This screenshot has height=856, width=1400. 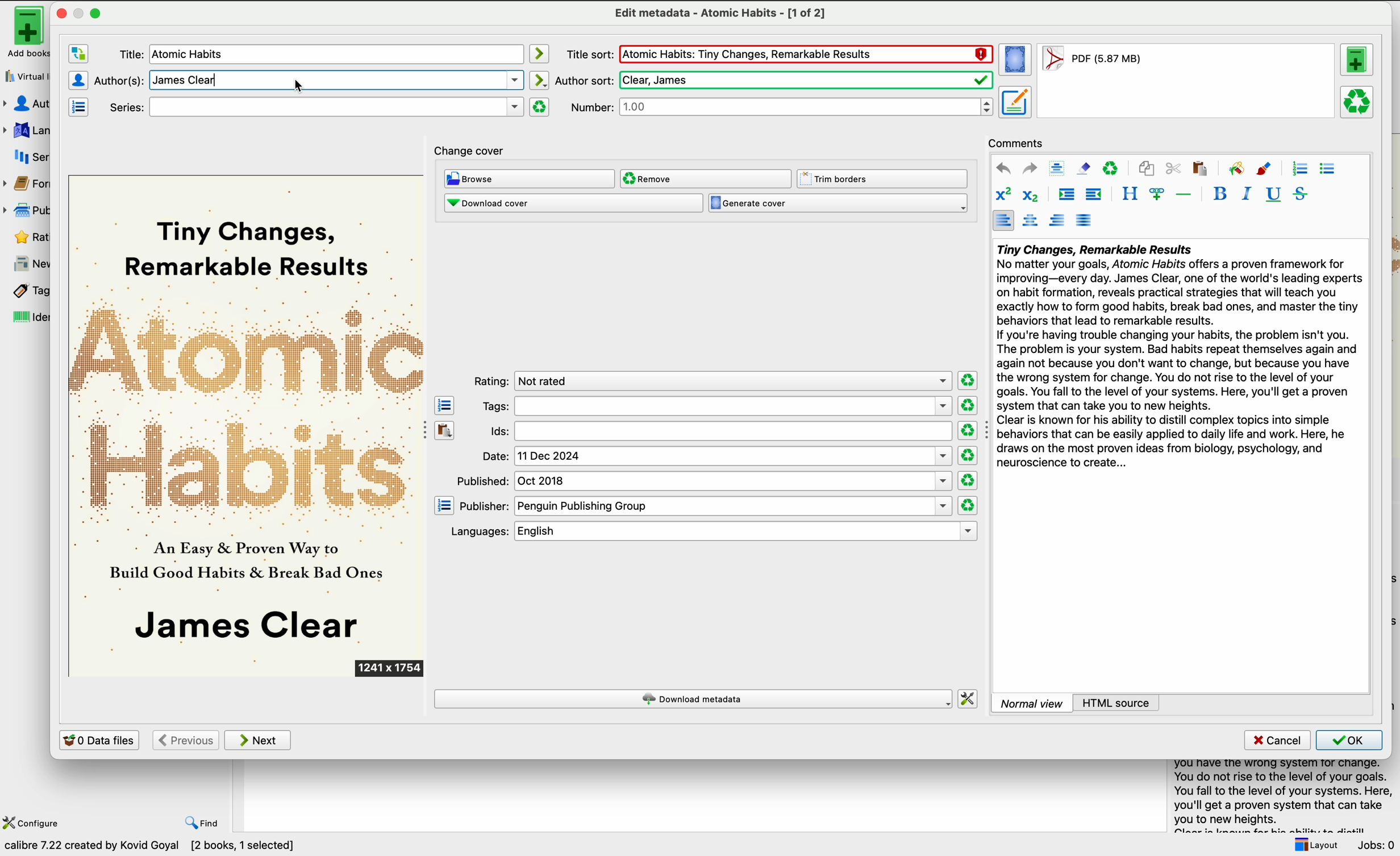 I want to click on Ids, so click(x=718, y=432).